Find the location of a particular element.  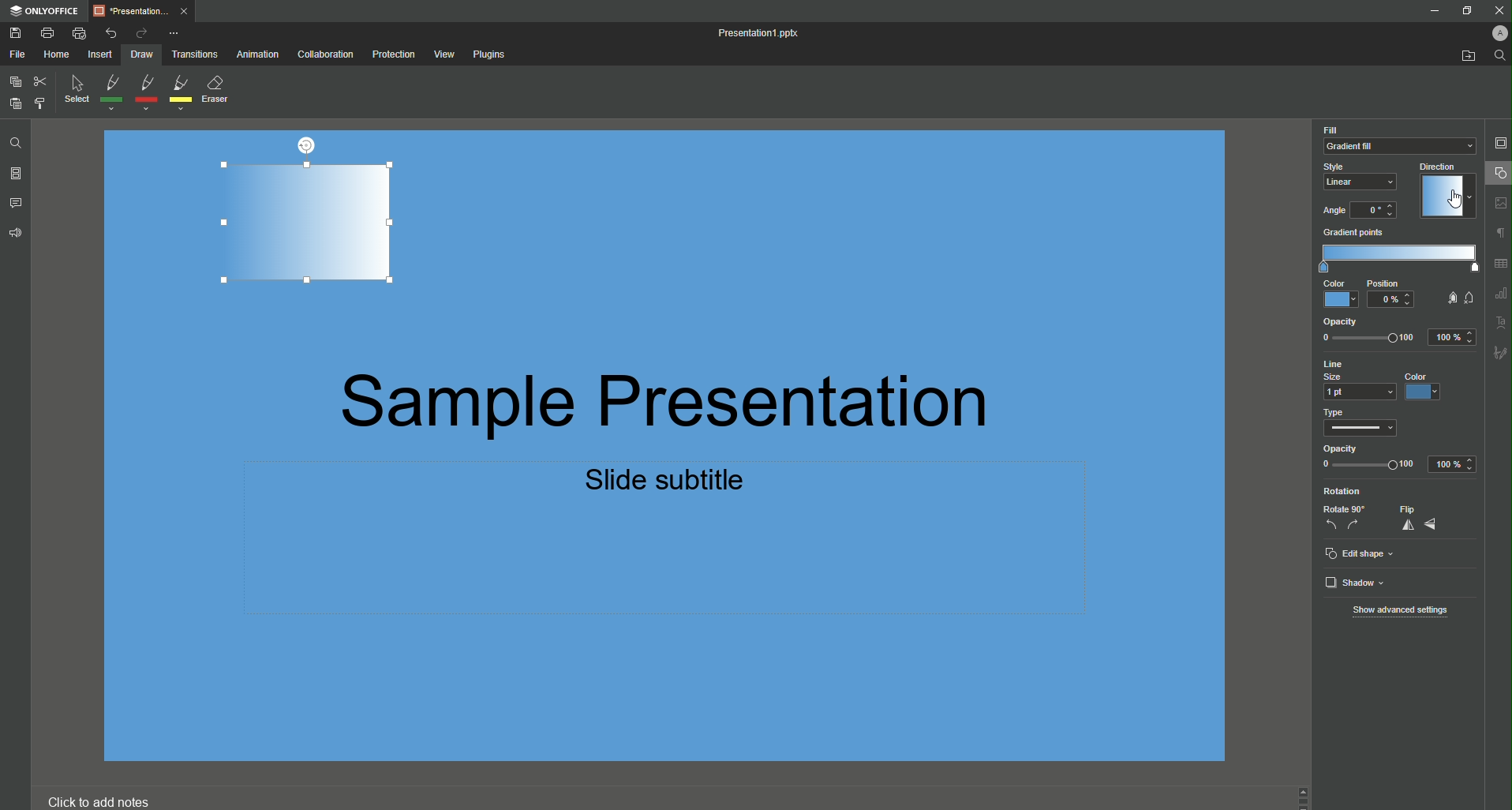

Gradient points is located at coordinates (1395, 251).